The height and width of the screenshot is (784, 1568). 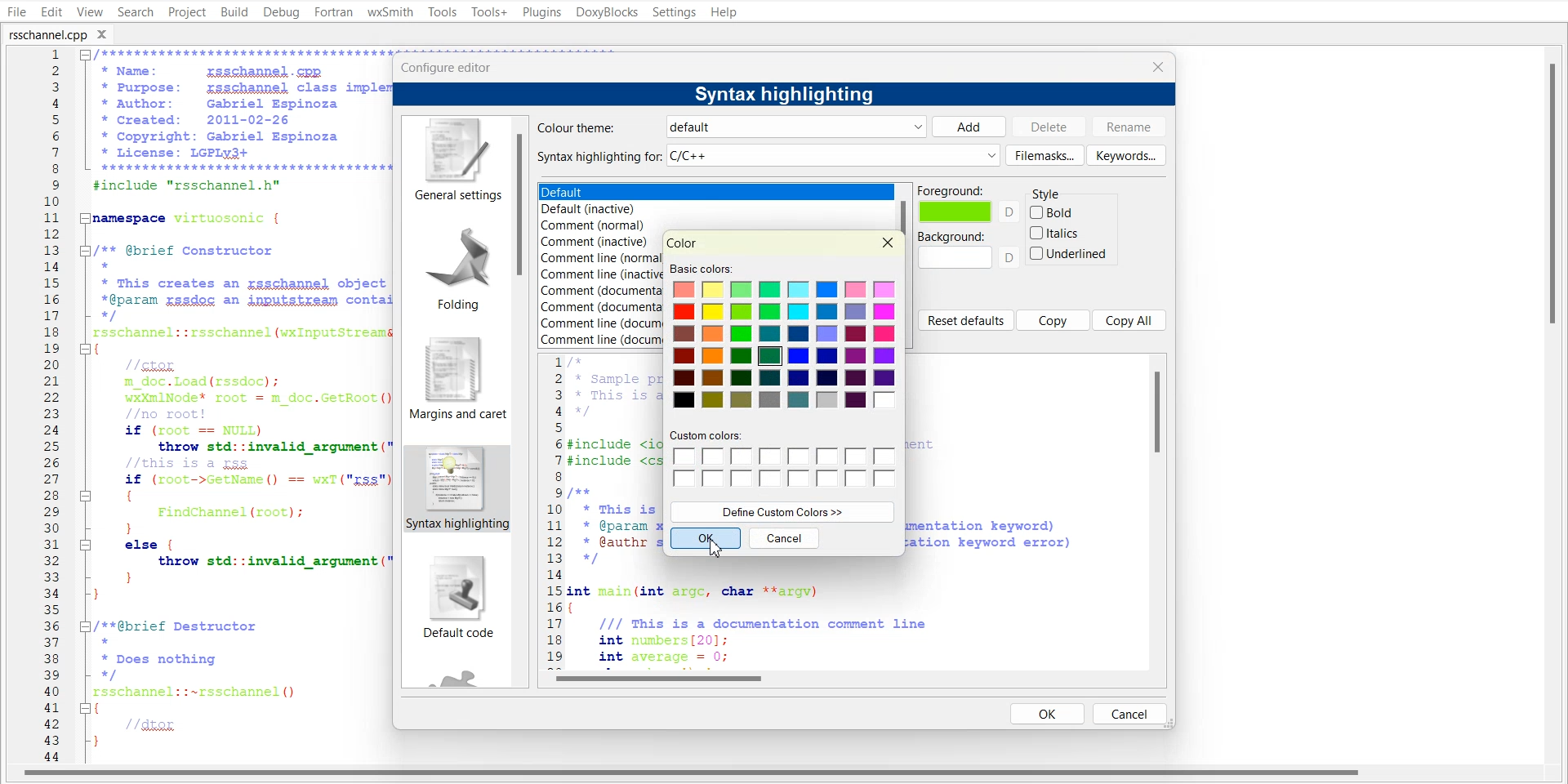 What do you see at coordinates (553, 509) in the screenshot?
I see `Line numbers` at bounding box center [553, 509].